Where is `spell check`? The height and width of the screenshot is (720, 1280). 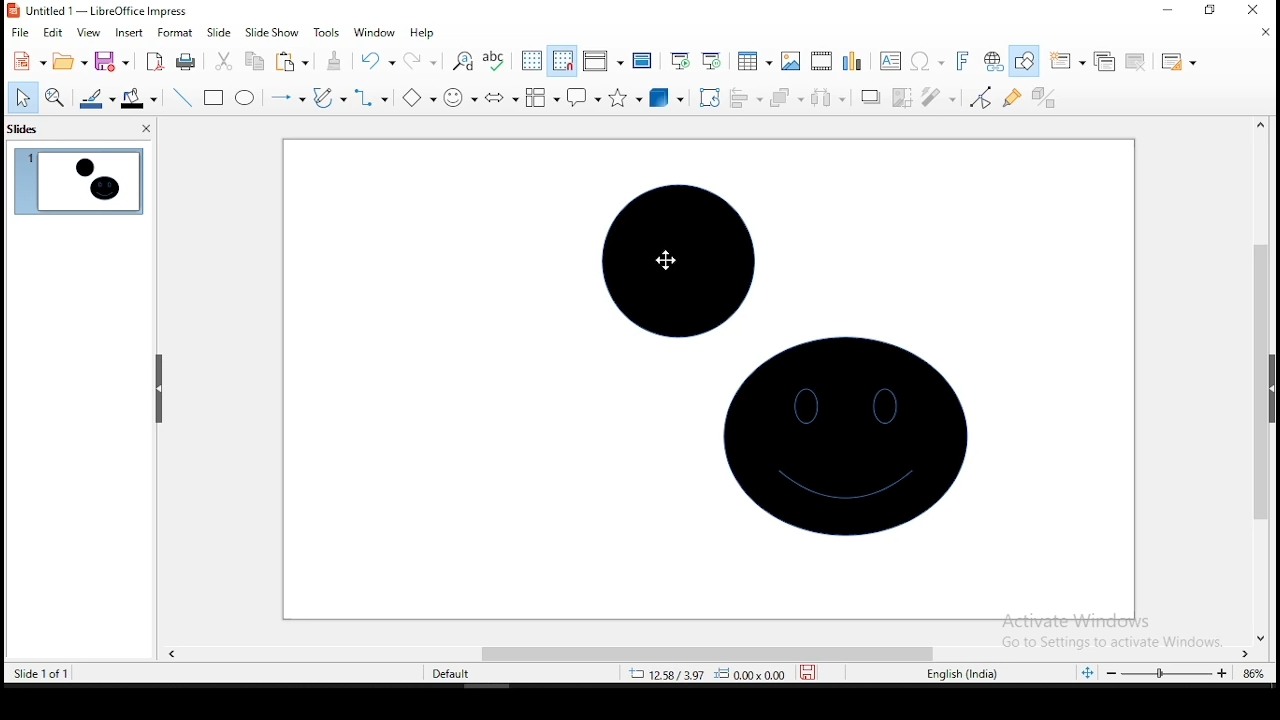 spell check is located at coordinates (499, 61).